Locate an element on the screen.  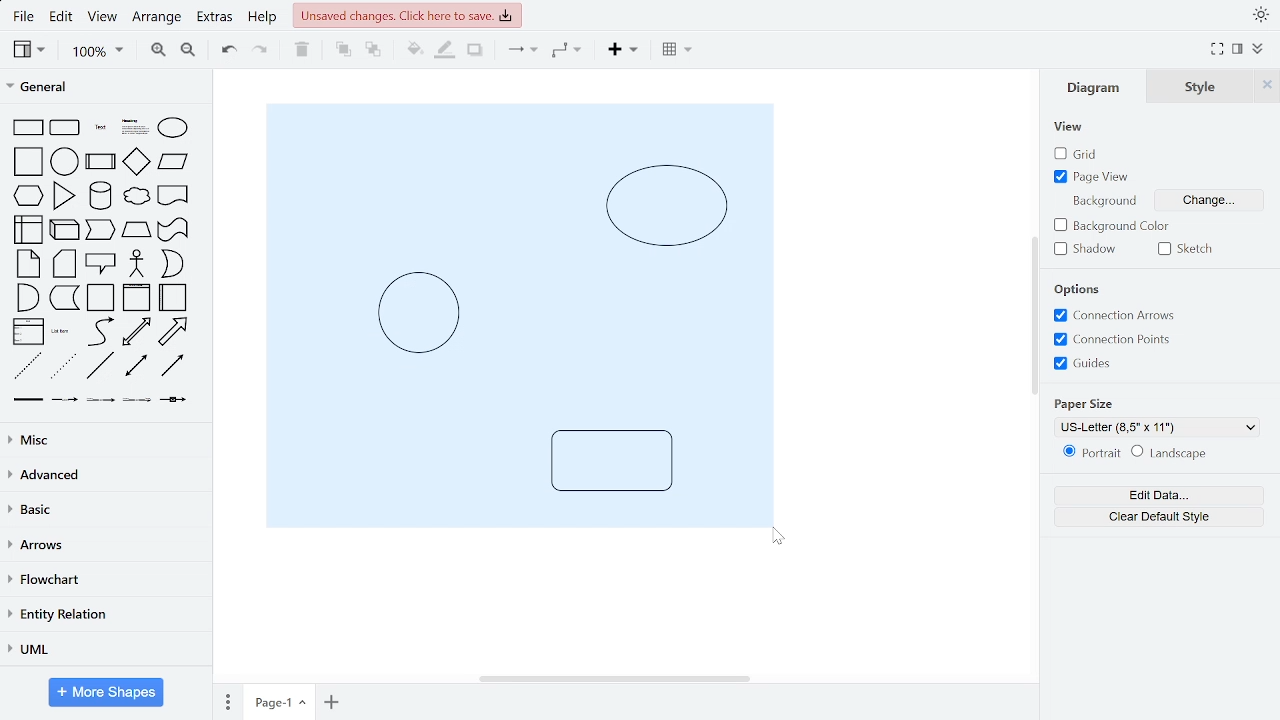
landscape is located at coordinates (1175, 453).